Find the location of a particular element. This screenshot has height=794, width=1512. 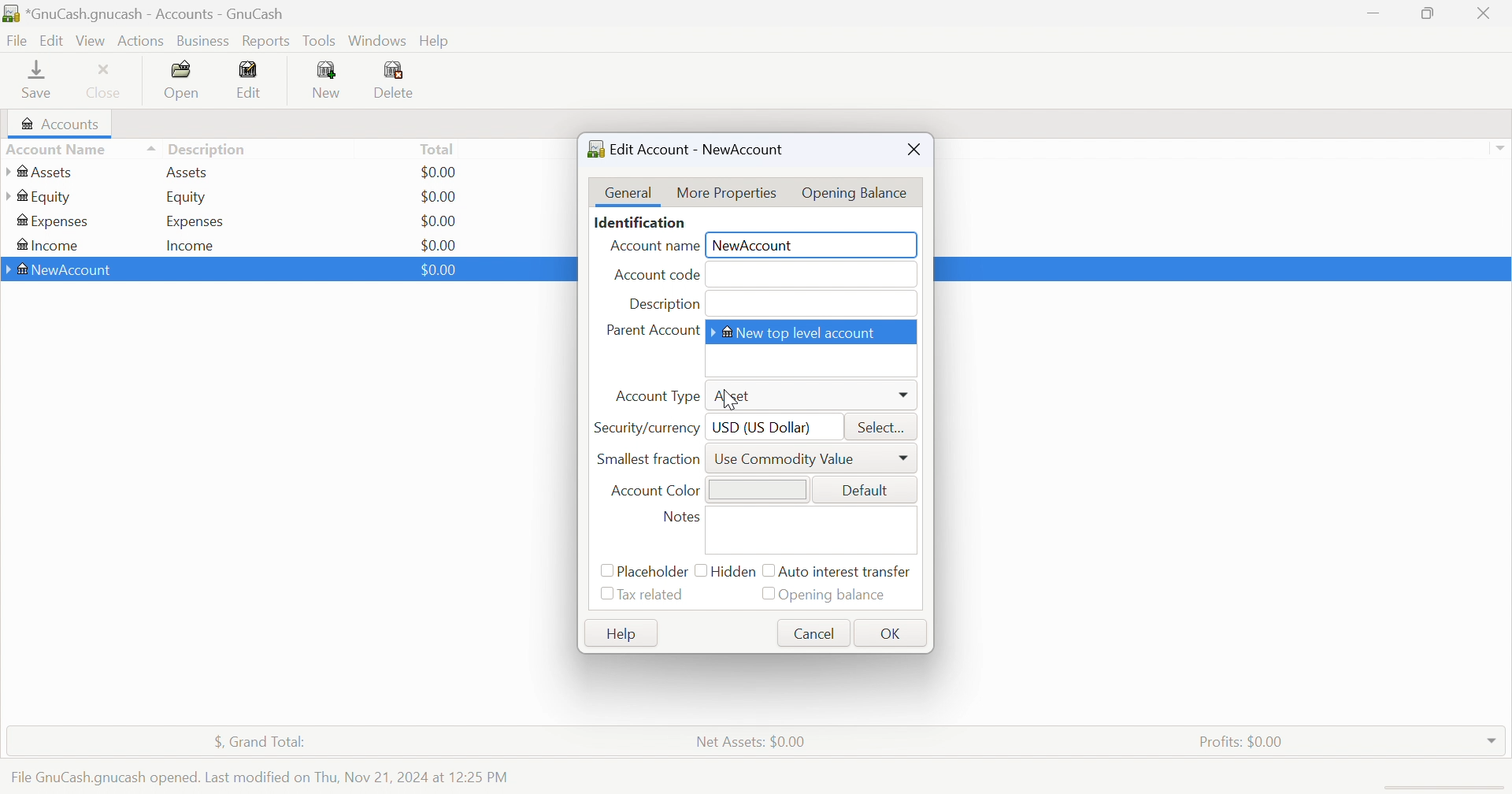

Select... is located at coordinates (883, 429).